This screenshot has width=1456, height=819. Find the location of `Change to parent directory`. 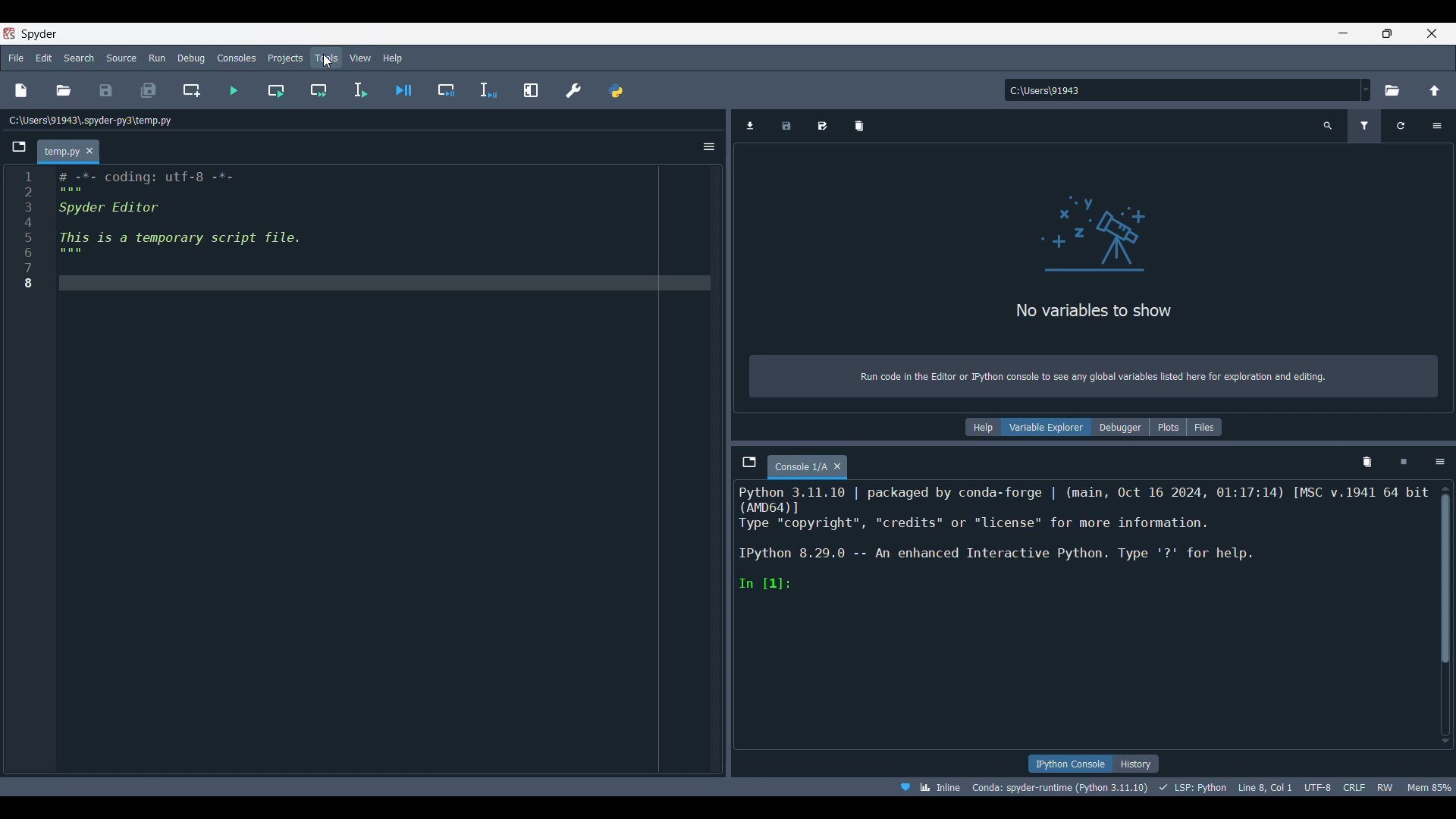

Change to parent directory is located at coordinates (1435, 91).